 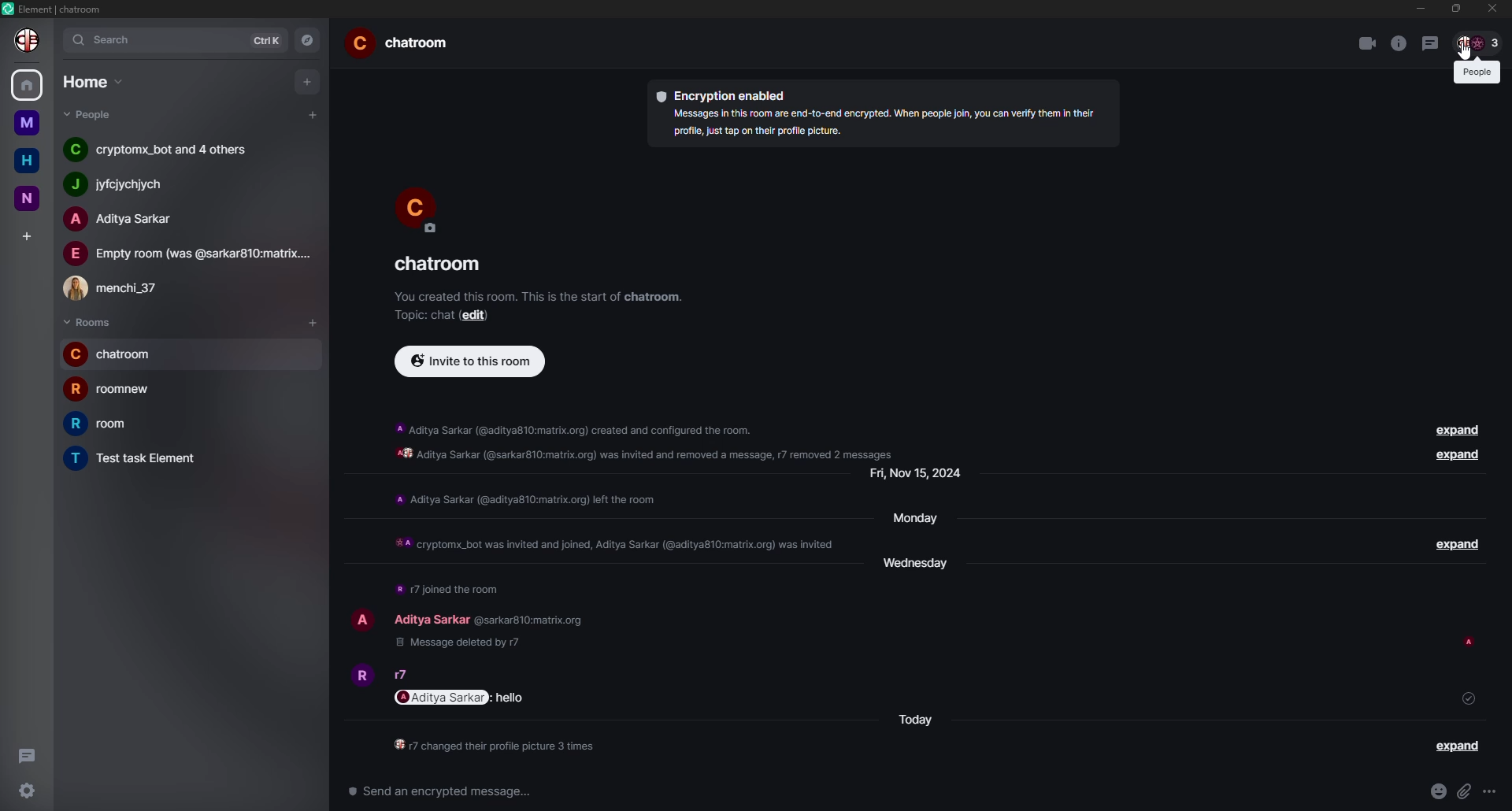 What do you see at coordinates (917, 722) in the screenshot?
I see `day` at bounding box center [917, 722].